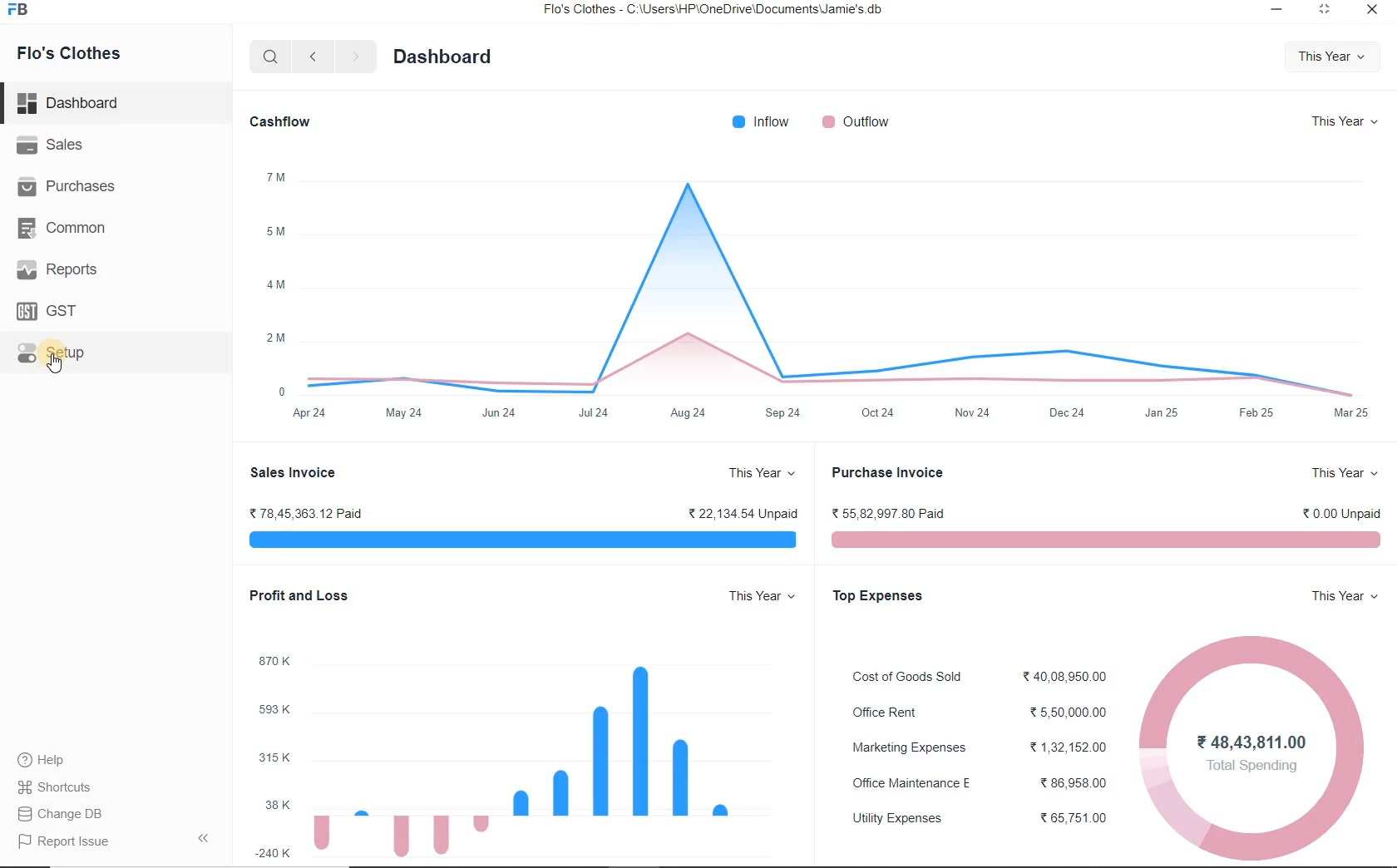  What do you see at coordinates (1370, 11) in the screenshot?
I see `Close` at bounding box center [1370, 11].